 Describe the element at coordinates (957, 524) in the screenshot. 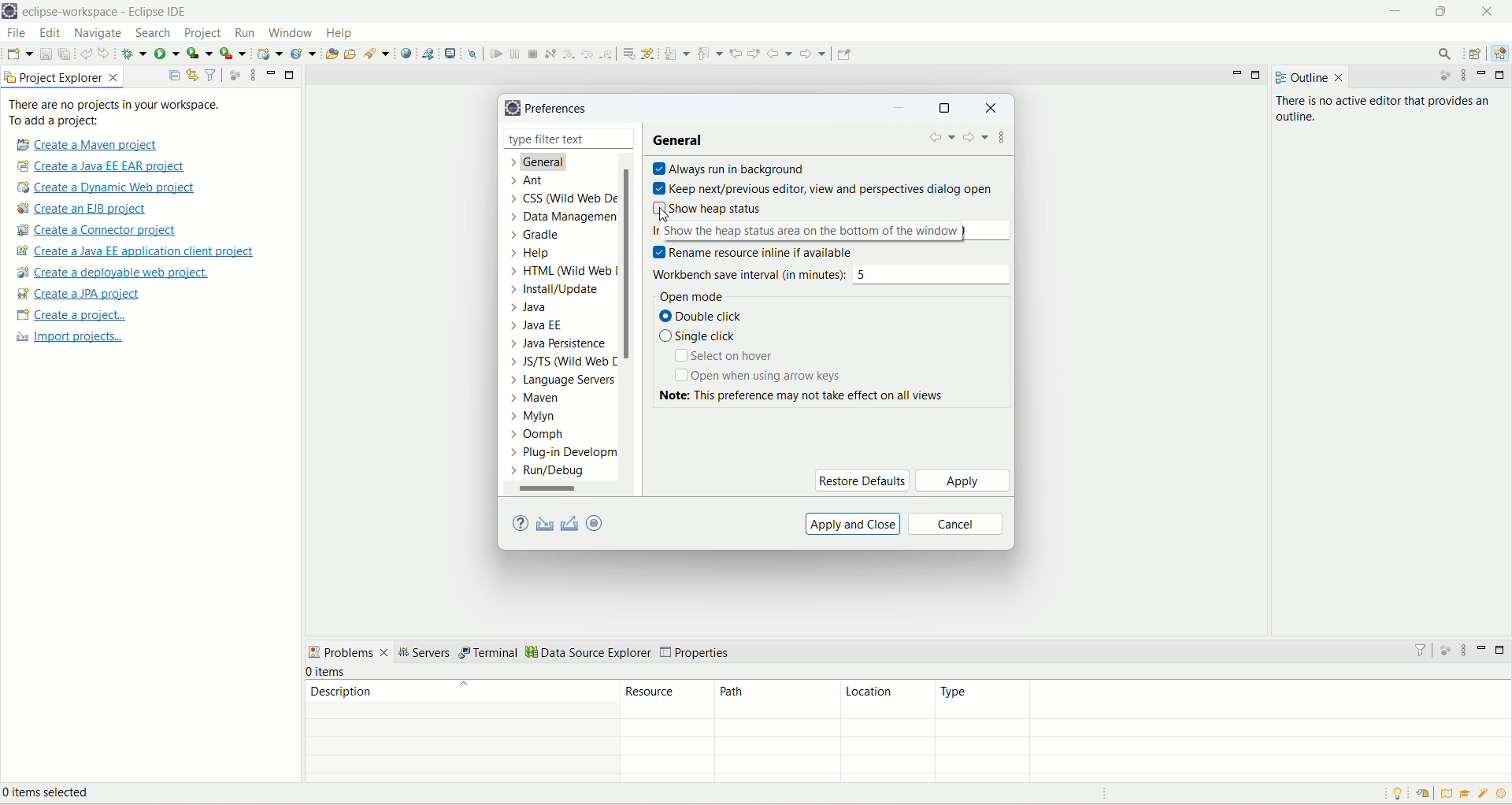

I see `cancel` at that location.